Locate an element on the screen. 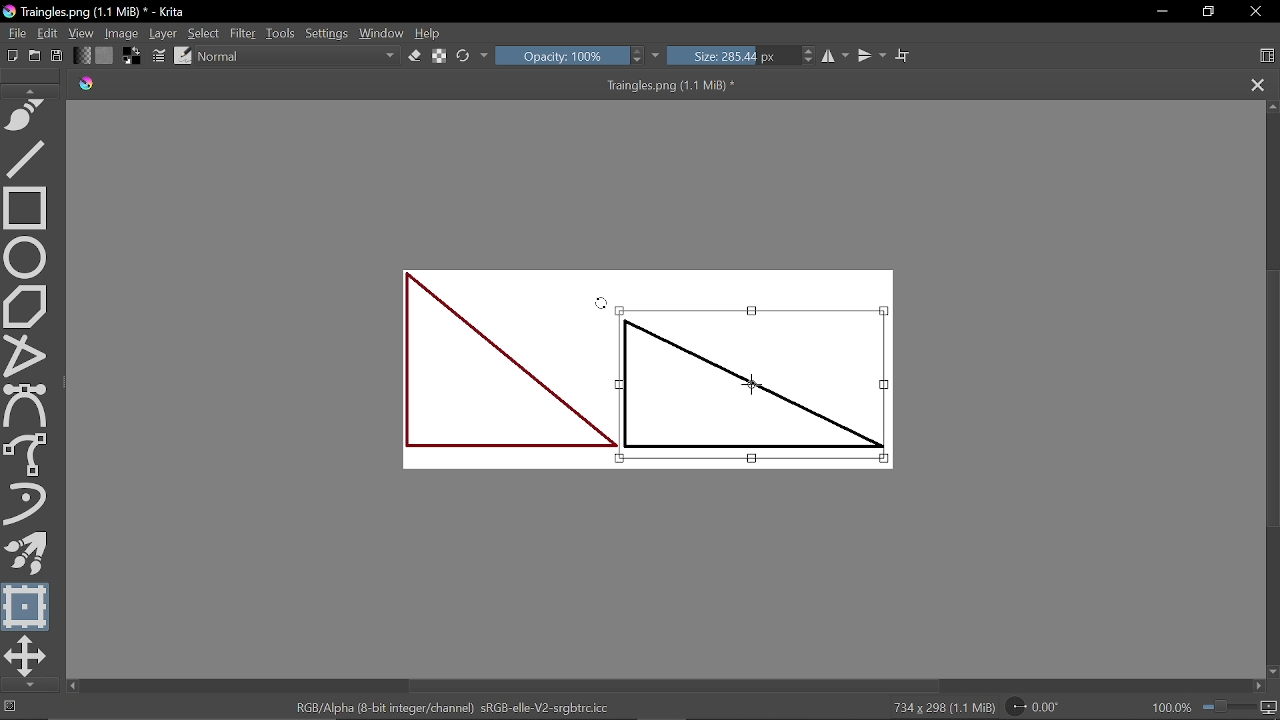 This screenshot has width=1280, height=720. Minimize is located at coordinates (1158, 11).